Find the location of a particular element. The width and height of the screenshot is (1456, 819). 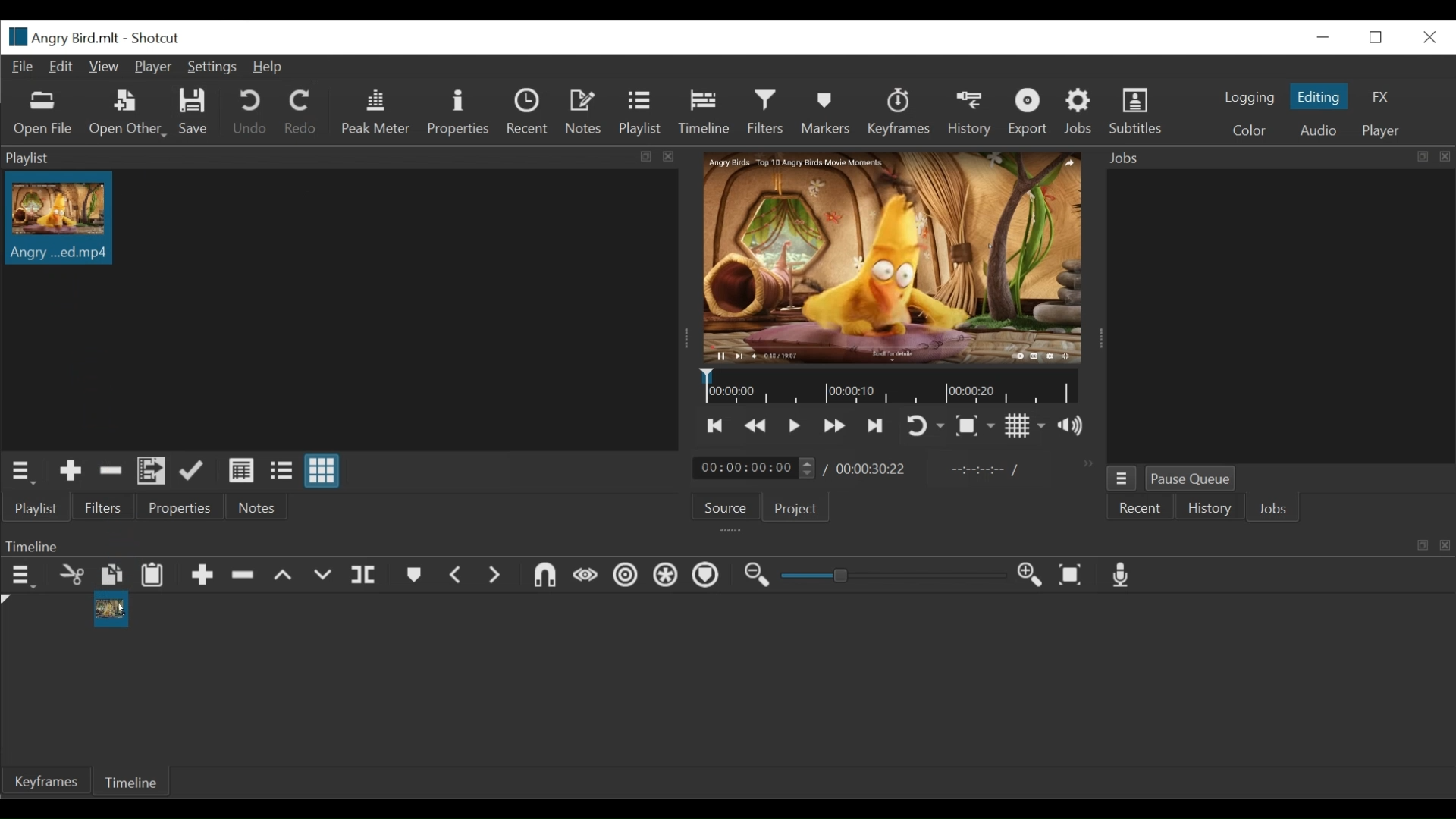

Toggle player looping is located at coordinates (921, 424).